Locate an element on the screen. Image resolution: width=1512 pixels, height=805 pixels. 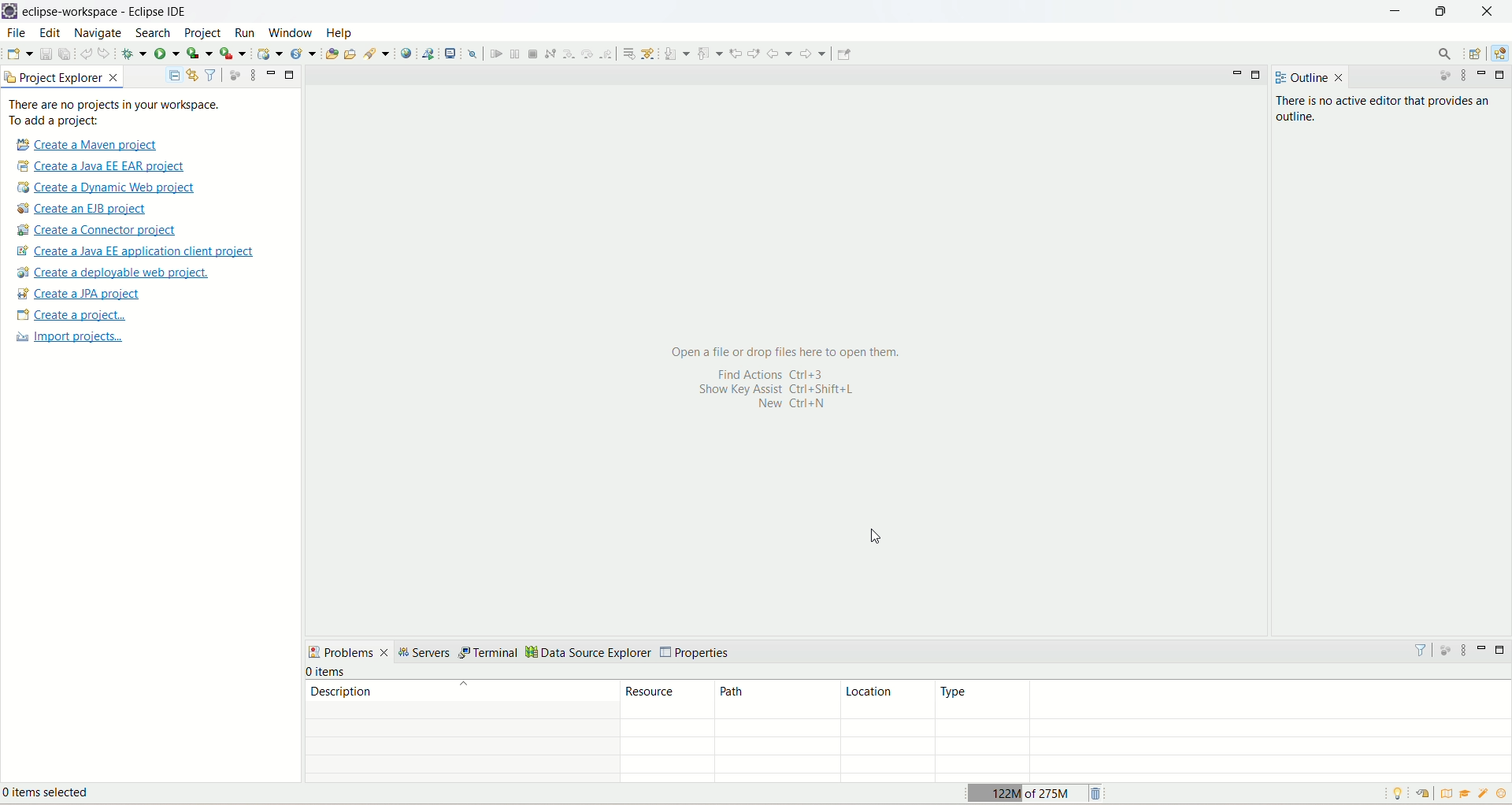
pin editor is located at coordinates (844, 54).